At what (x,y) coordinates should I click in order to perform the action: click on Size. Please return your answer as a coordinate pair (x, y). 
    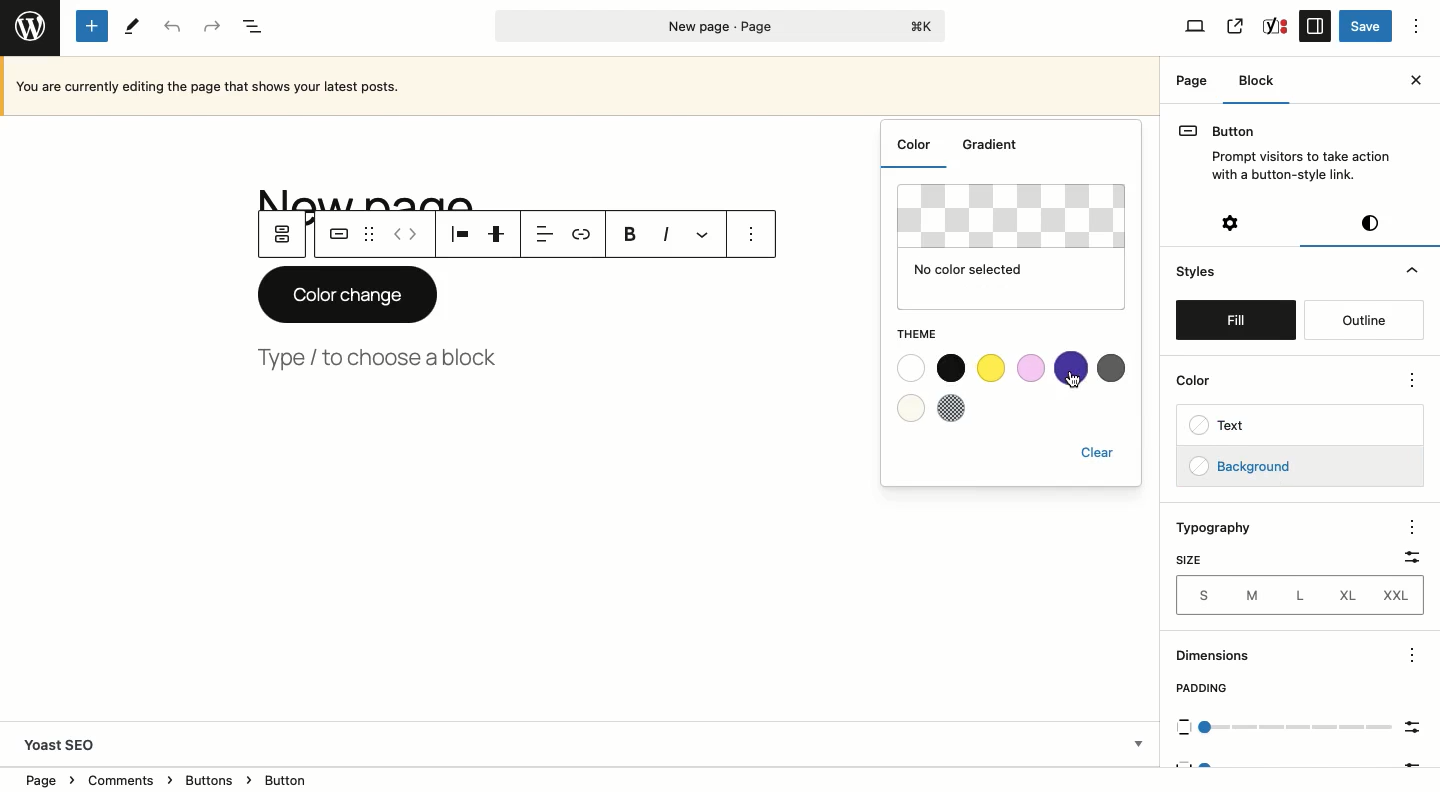
    Looking at the image, I should click on (1188, 559).